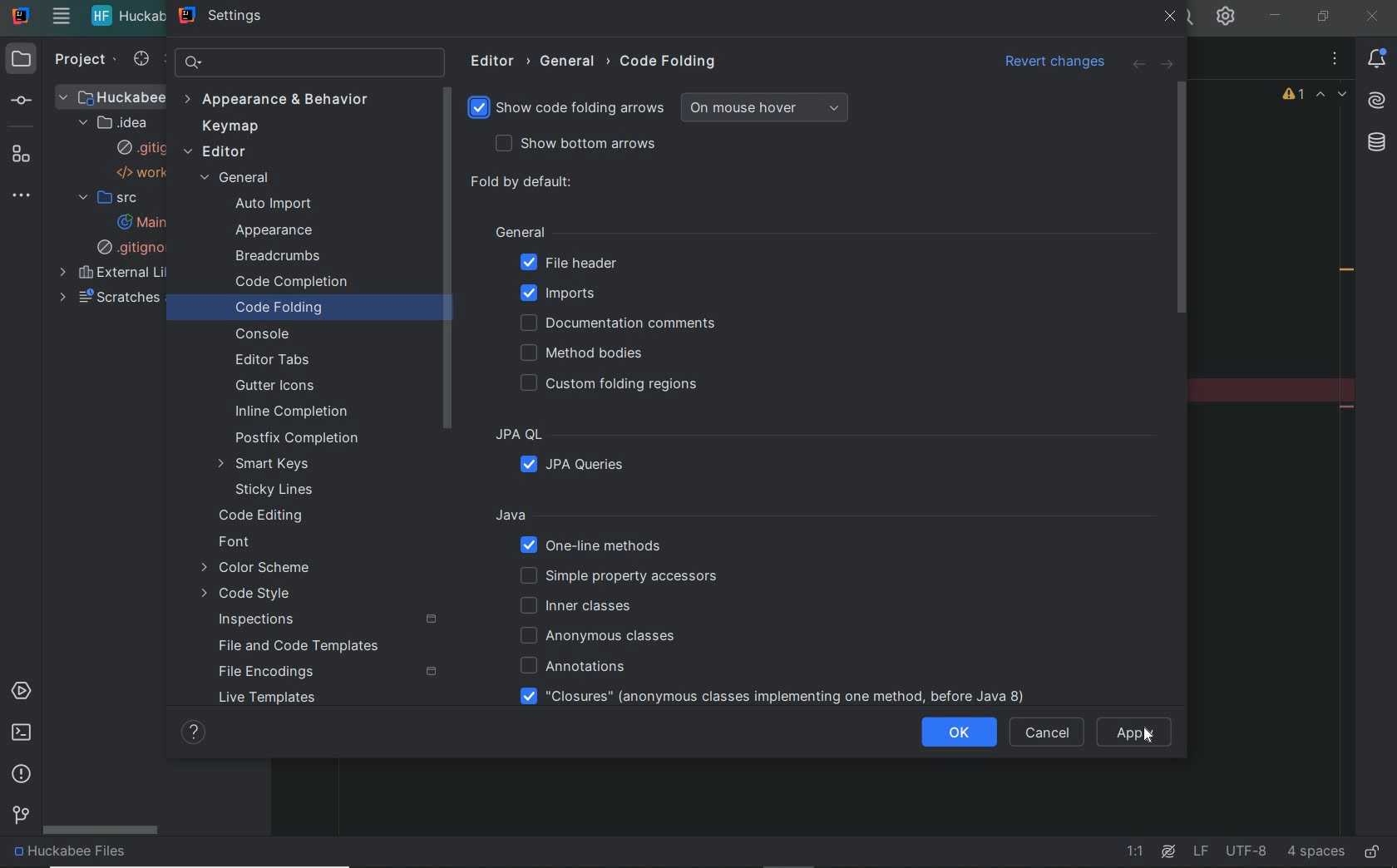 This screenshot has width=1397, height=868. Describe the element at coordinates (278, 362) in the screenshot. I see `edit tabs` at that location.